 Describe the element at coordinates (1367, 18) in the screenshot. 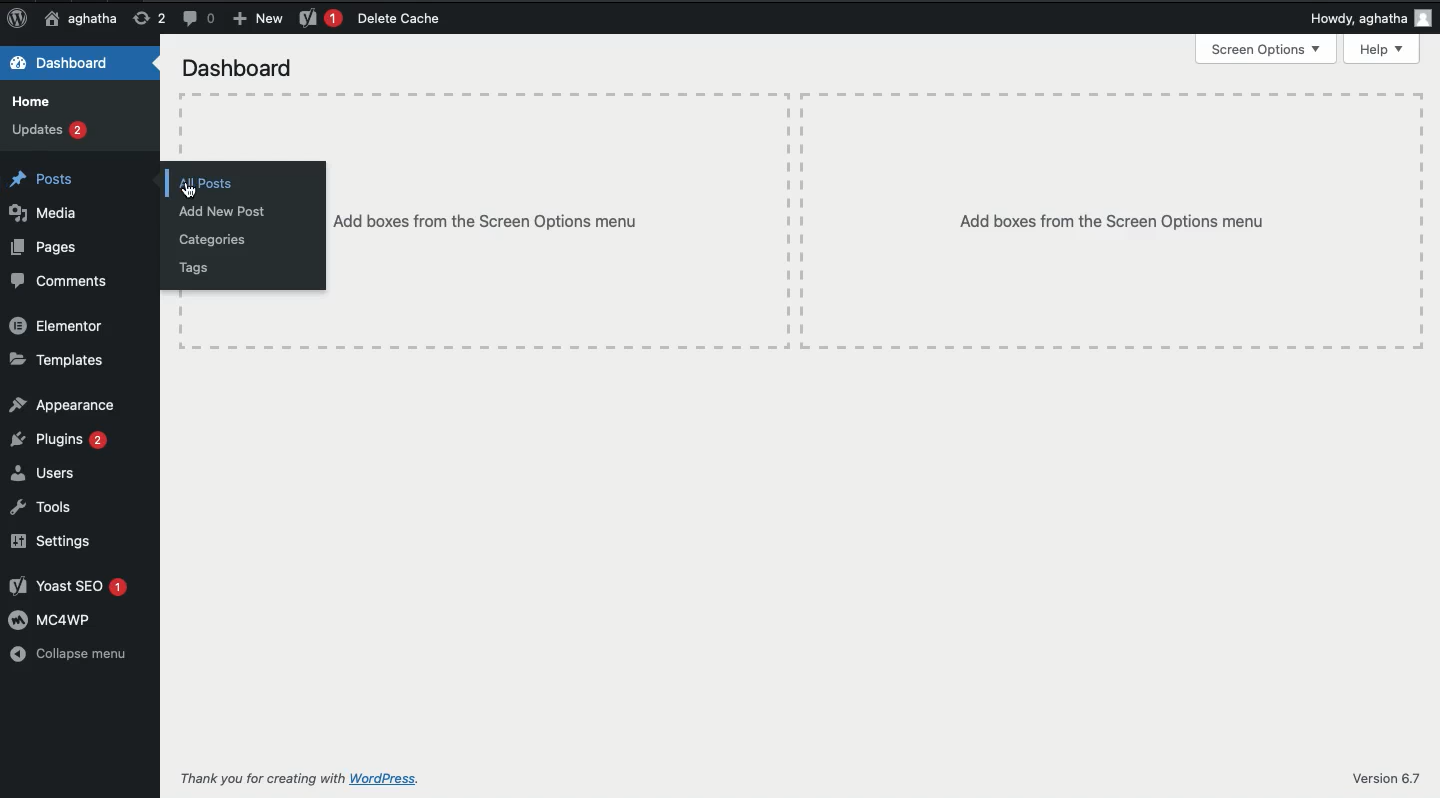

I see `Howdy, aghatha` at that location.